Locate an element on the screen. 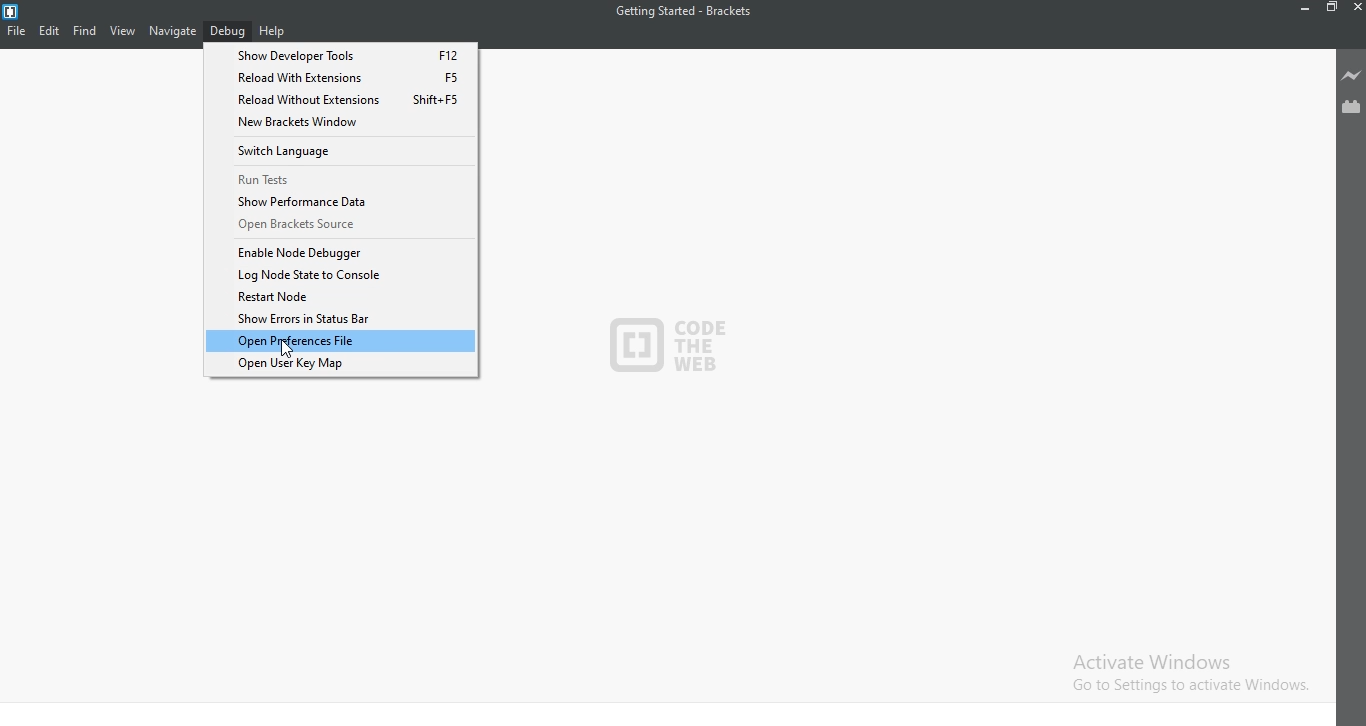  show developer tools is located at coordinates (340, 54).